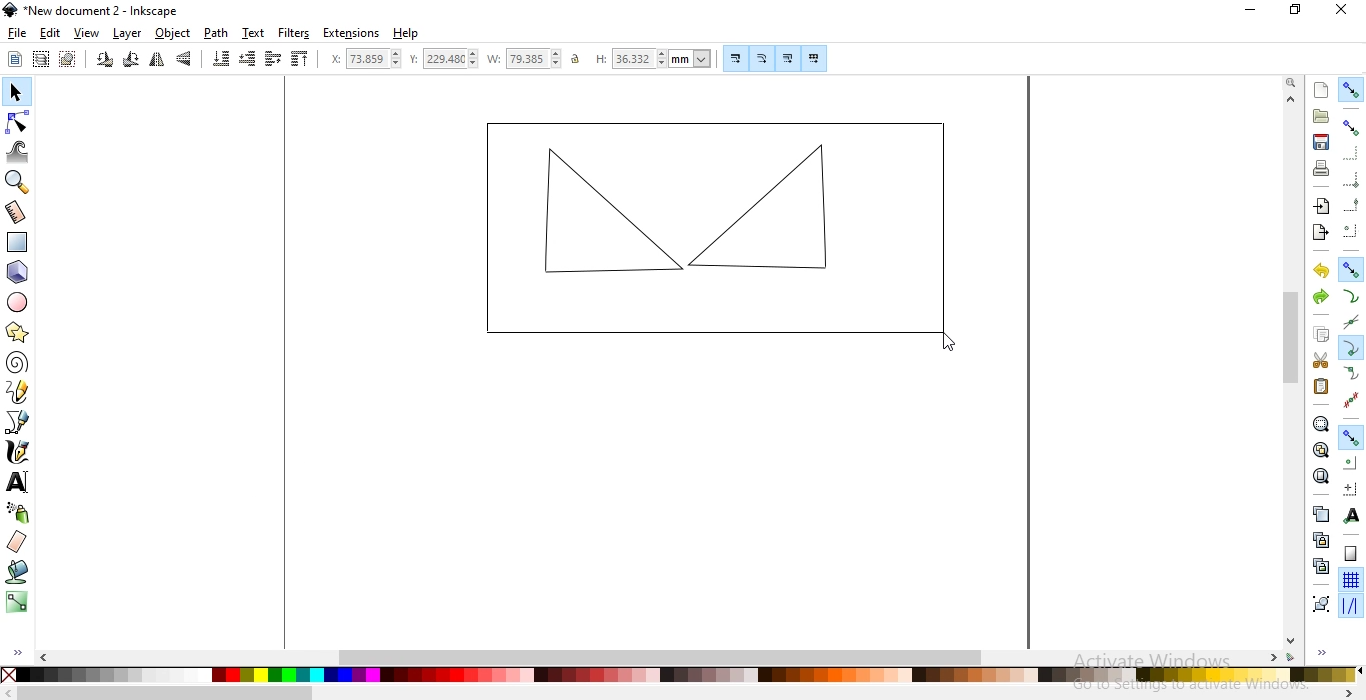 The height and width of the screenshot is (700, 1366). I want to click on save document, so click(1321, 142).